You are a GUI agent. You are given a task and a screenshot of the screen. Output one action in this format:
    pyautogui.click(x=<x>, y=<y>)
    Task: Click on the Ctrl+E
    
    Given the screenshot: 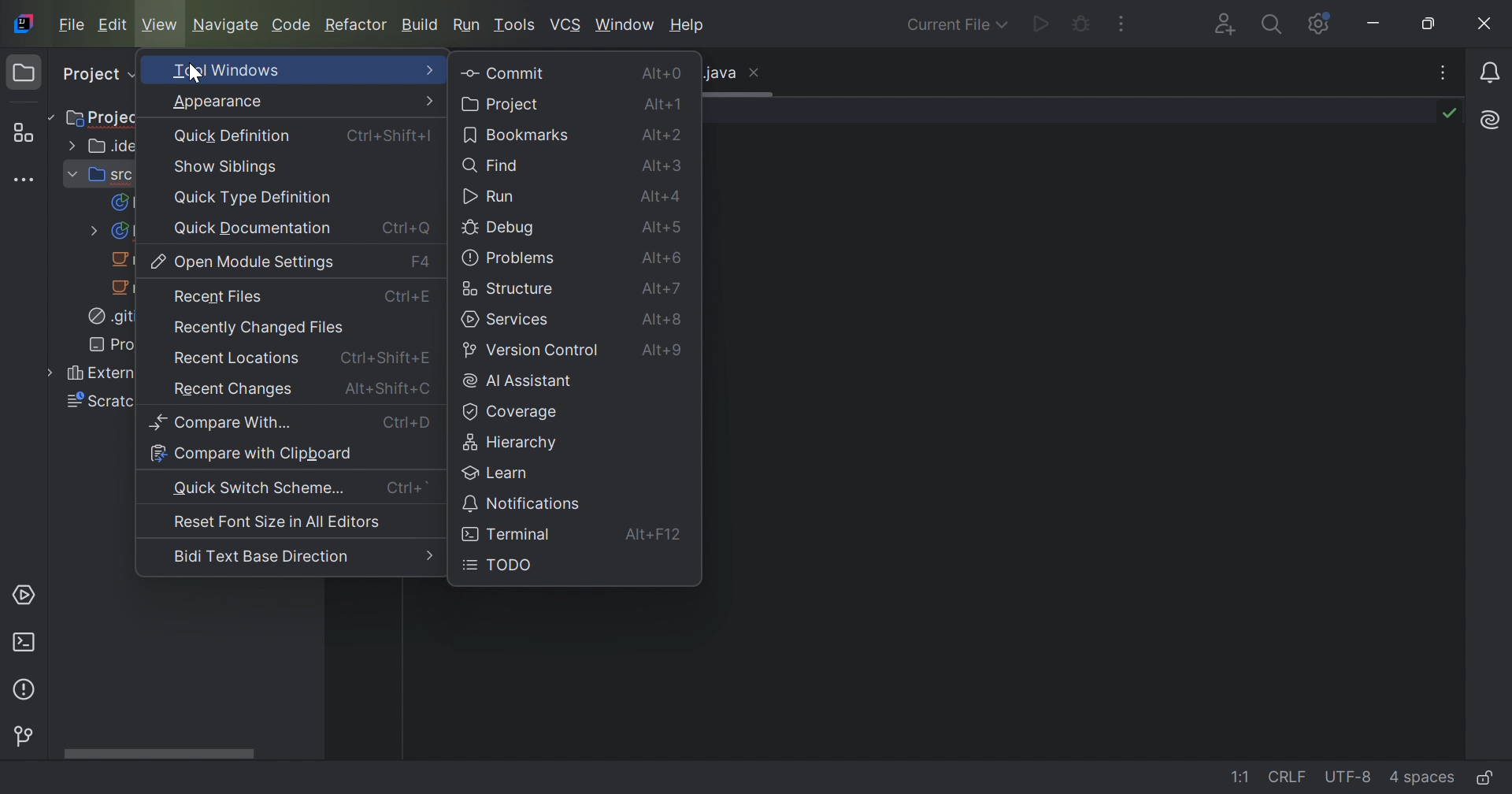 What is the action you would take?
    pyautogui.click(x=410, y=300)
    